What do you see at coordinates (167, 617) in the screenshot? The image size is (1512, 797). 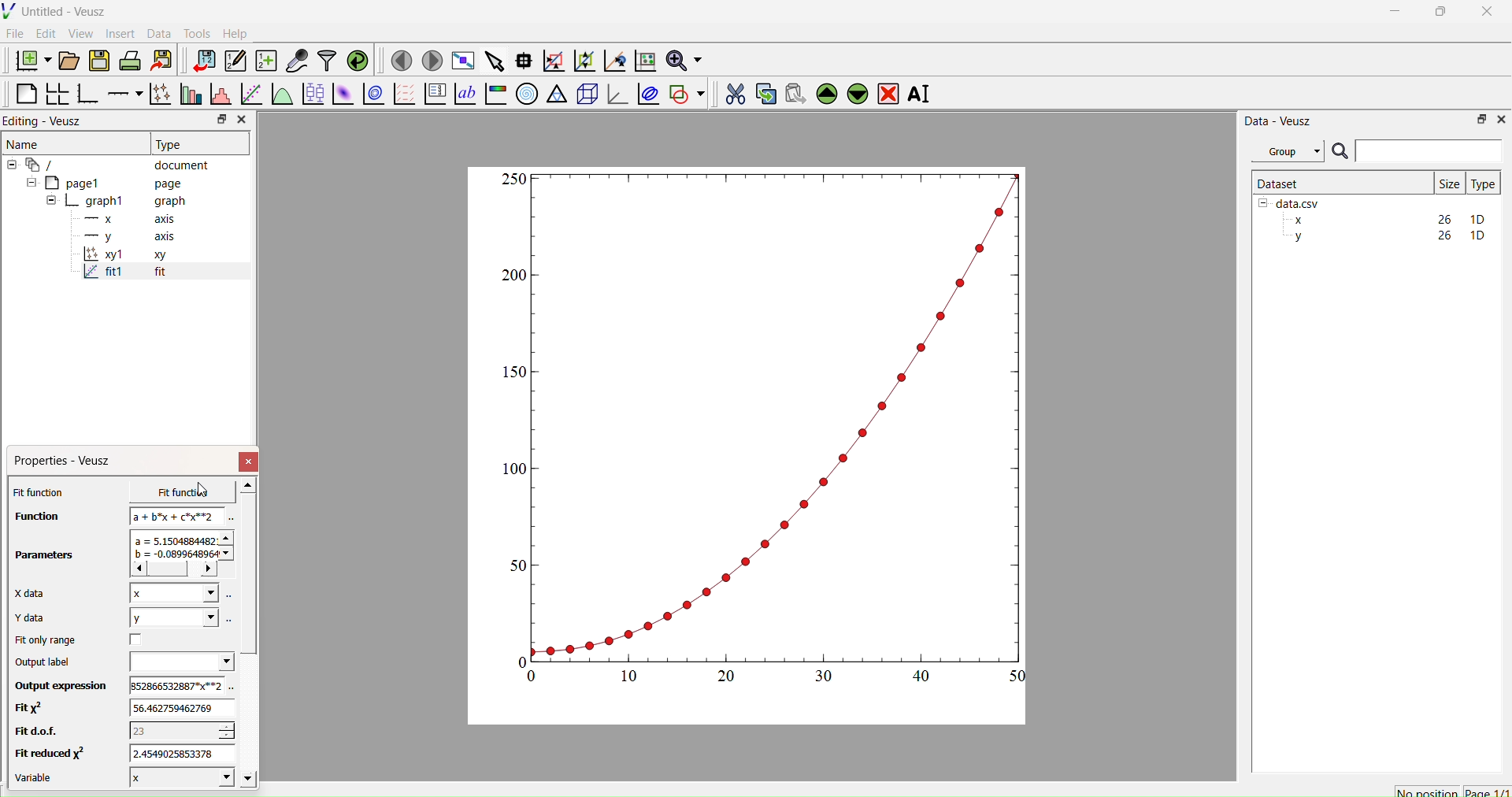 I see `y` at bounding box center [167, 617].